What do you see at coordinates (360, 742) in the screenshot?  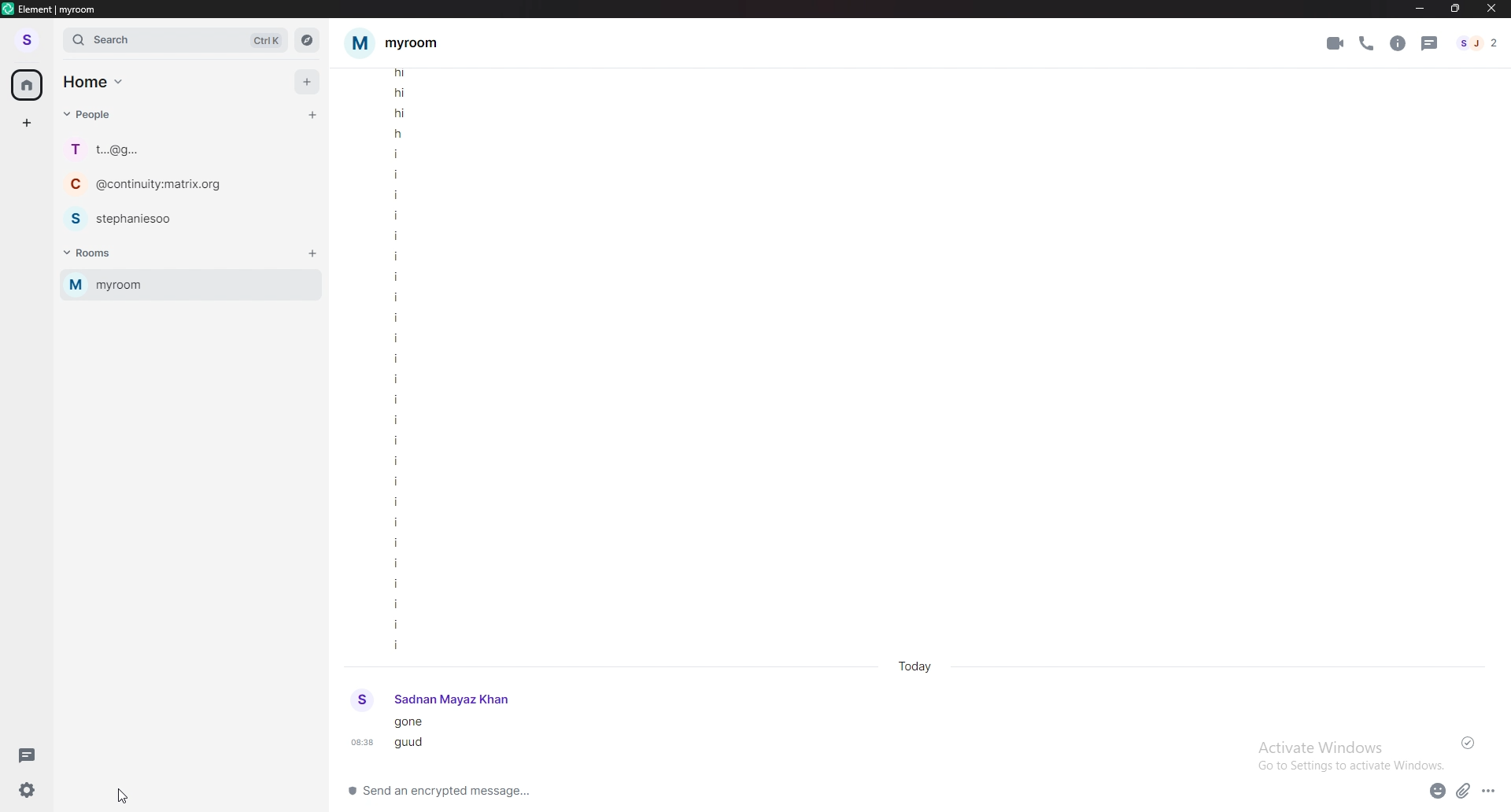 I see `08:38` at bounding box center [360, 742].